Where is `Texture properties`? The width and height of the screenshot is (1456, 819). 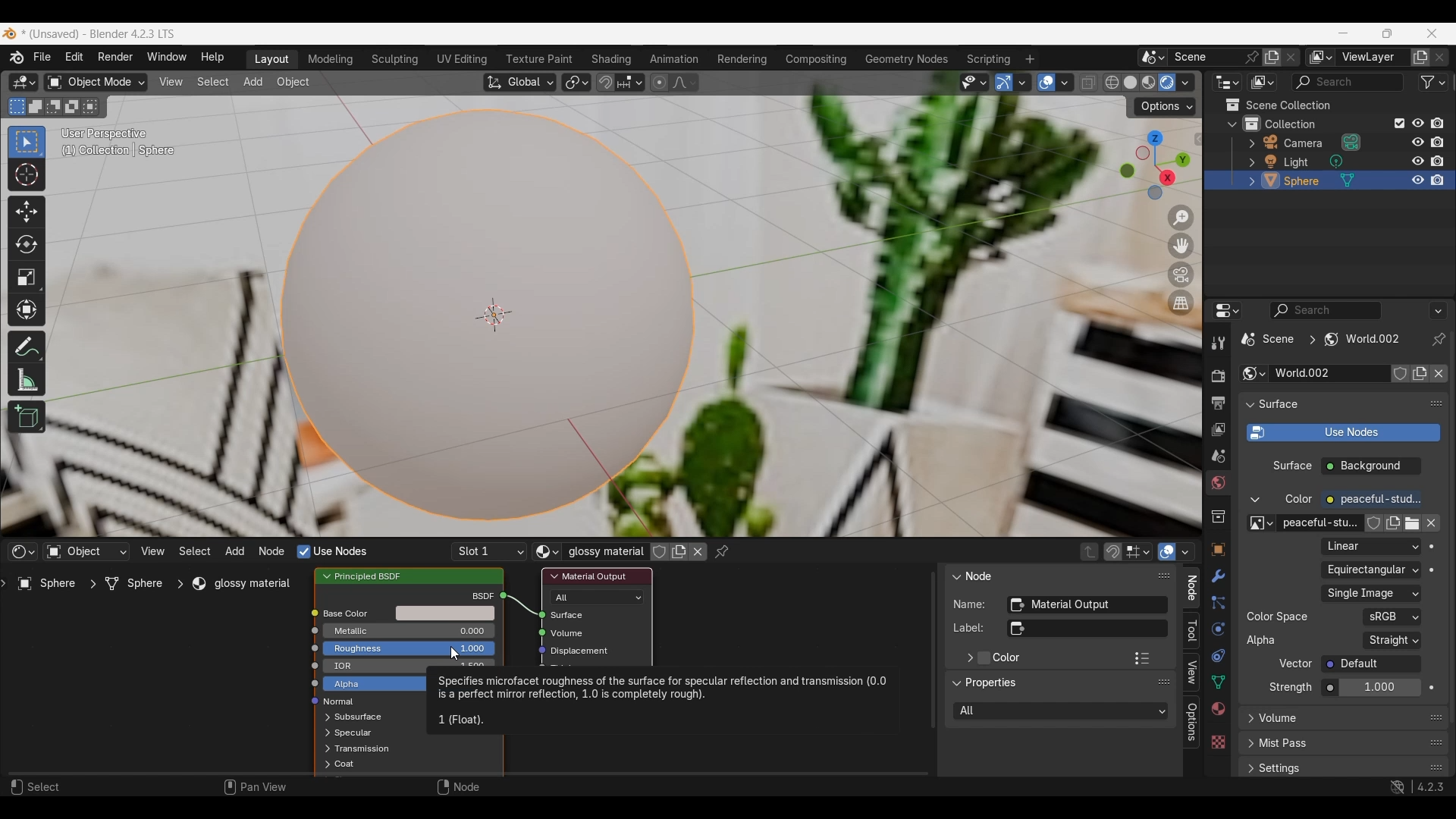 Texture properties is located at coordinates (1217, 742).